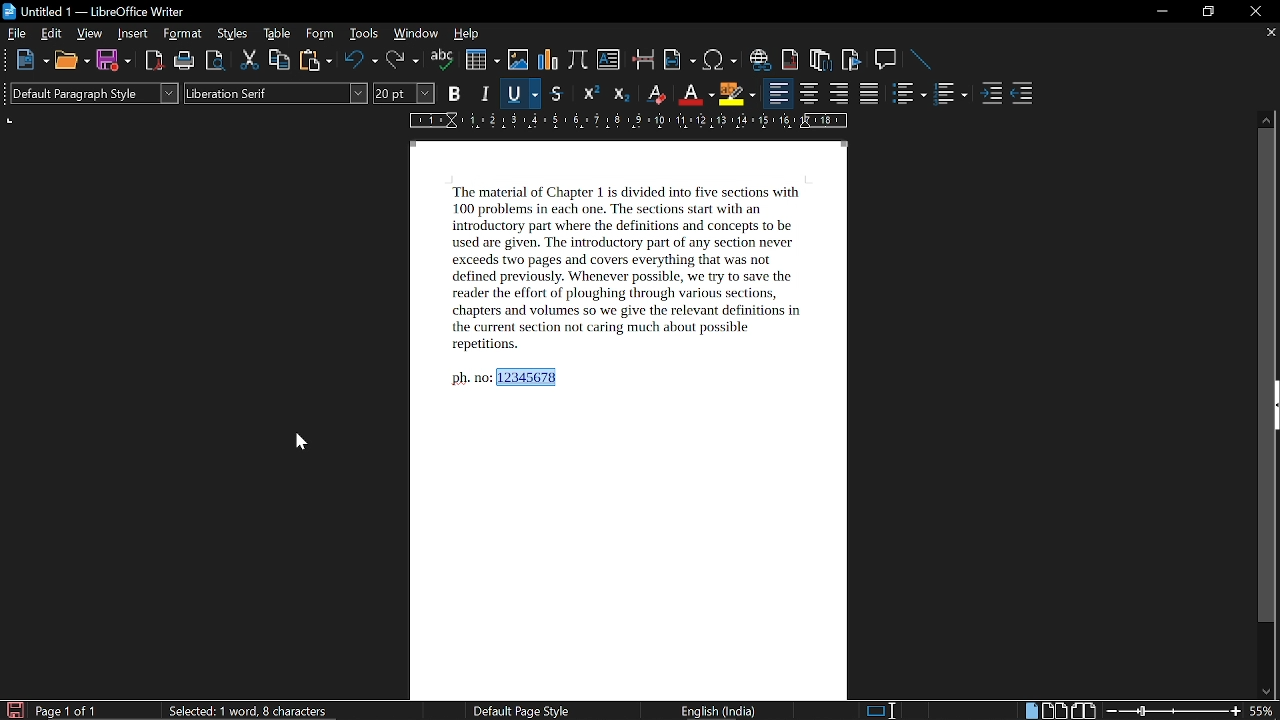 Image resolution: width=1280 pixels, height=720 pixels. What do you see at coordinates (521, 93) in the screenshot?
I see `underline` at bounding box center [521, 93].